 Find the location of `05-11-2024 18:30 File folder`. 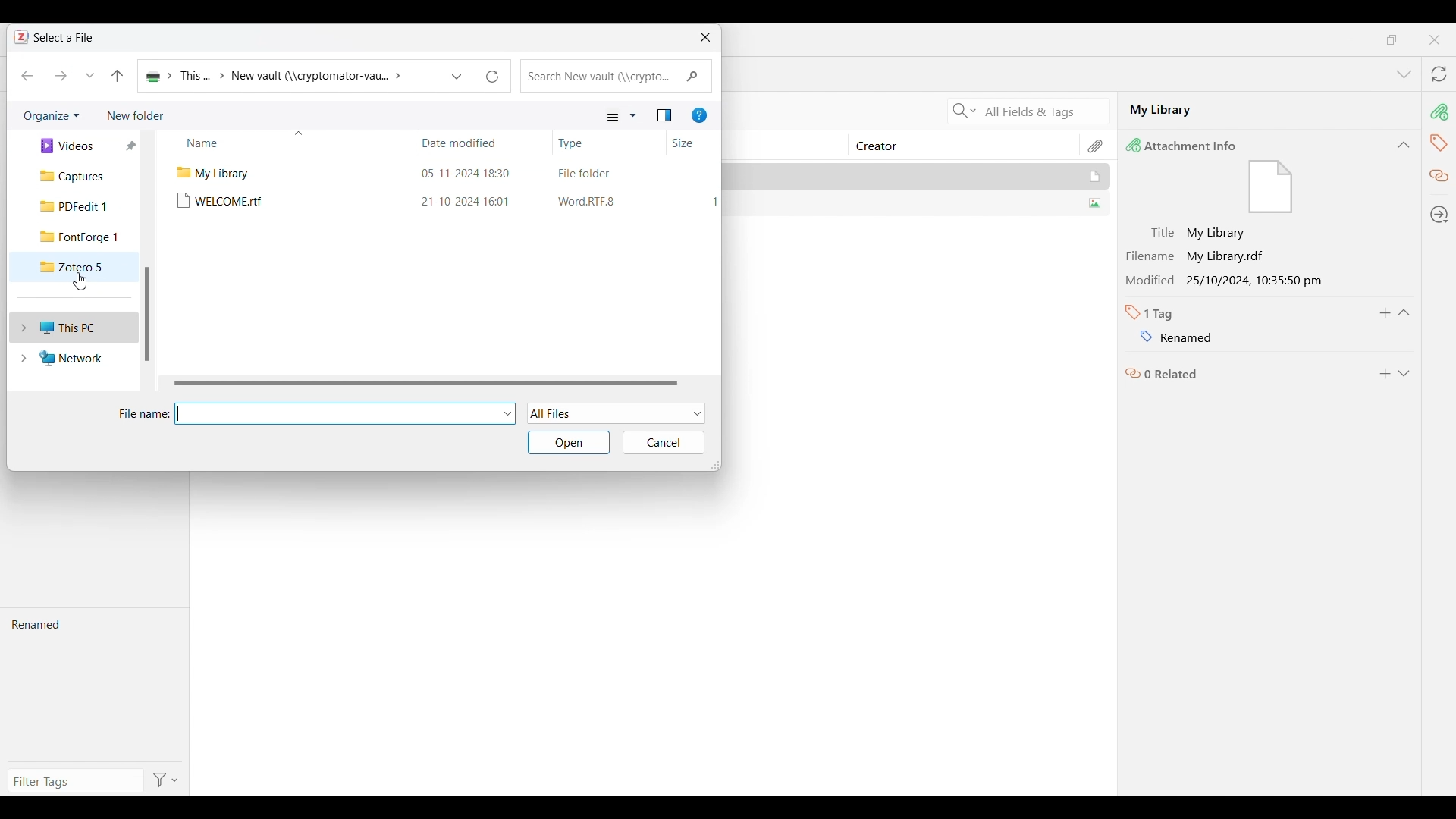

05-11-2024 18:30 File folder is located at coordinates (559, 174).